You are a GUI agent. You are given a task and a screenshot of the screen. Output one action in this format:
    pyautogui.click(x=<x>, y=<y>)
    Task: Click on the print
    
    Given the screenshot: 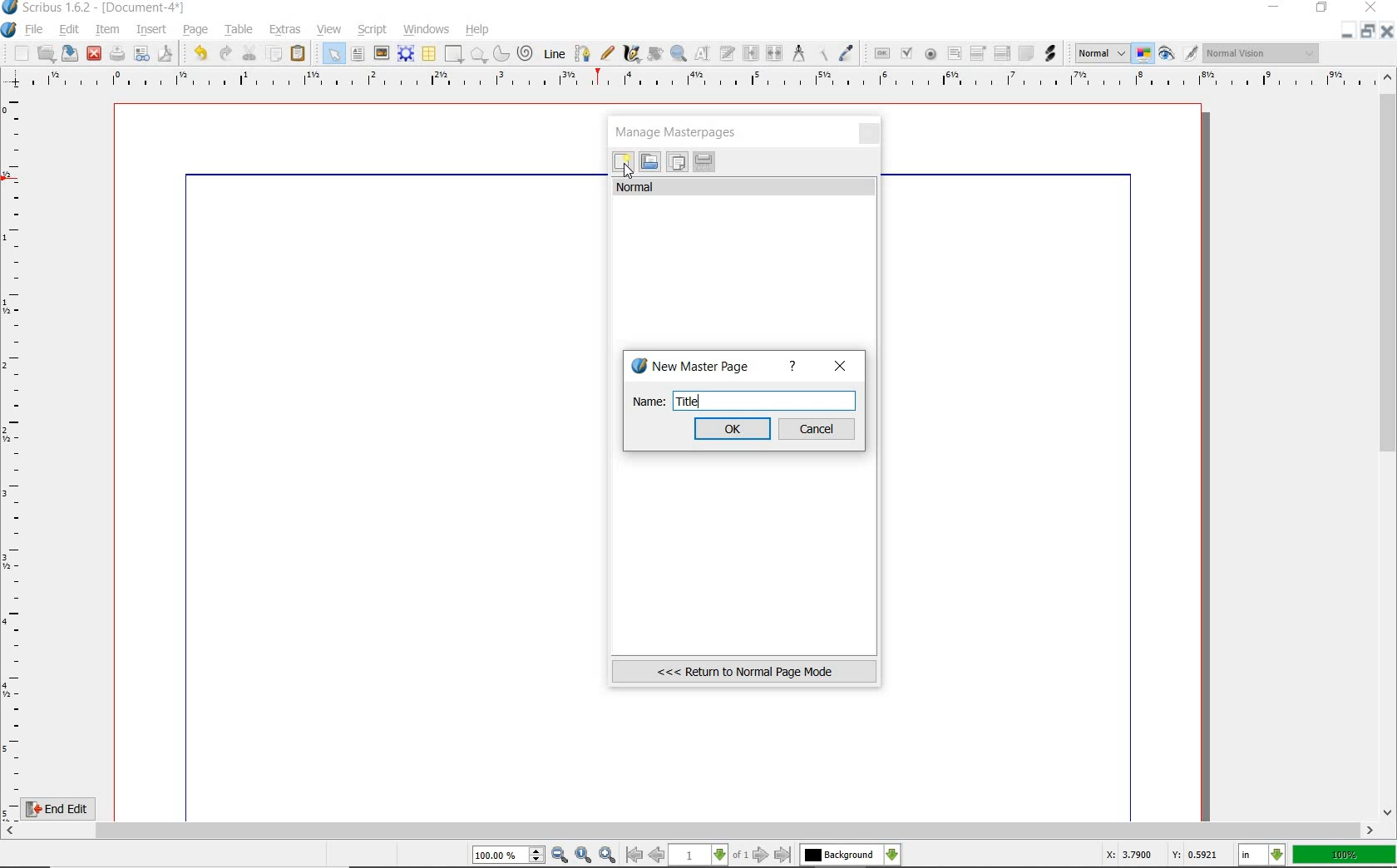 What is the action you would take?
    pyautogui.click(x=117, y=53)
    